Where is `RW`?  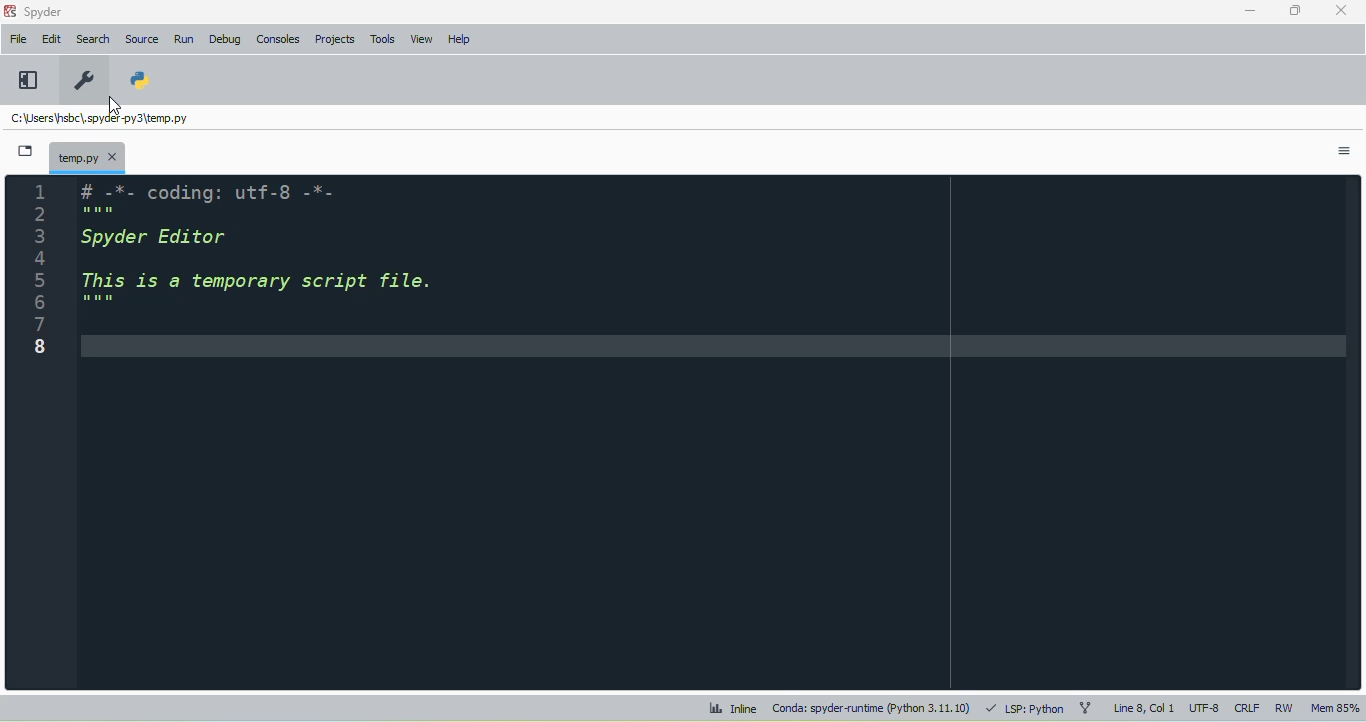
RW is located at coordinates (1285, 708).